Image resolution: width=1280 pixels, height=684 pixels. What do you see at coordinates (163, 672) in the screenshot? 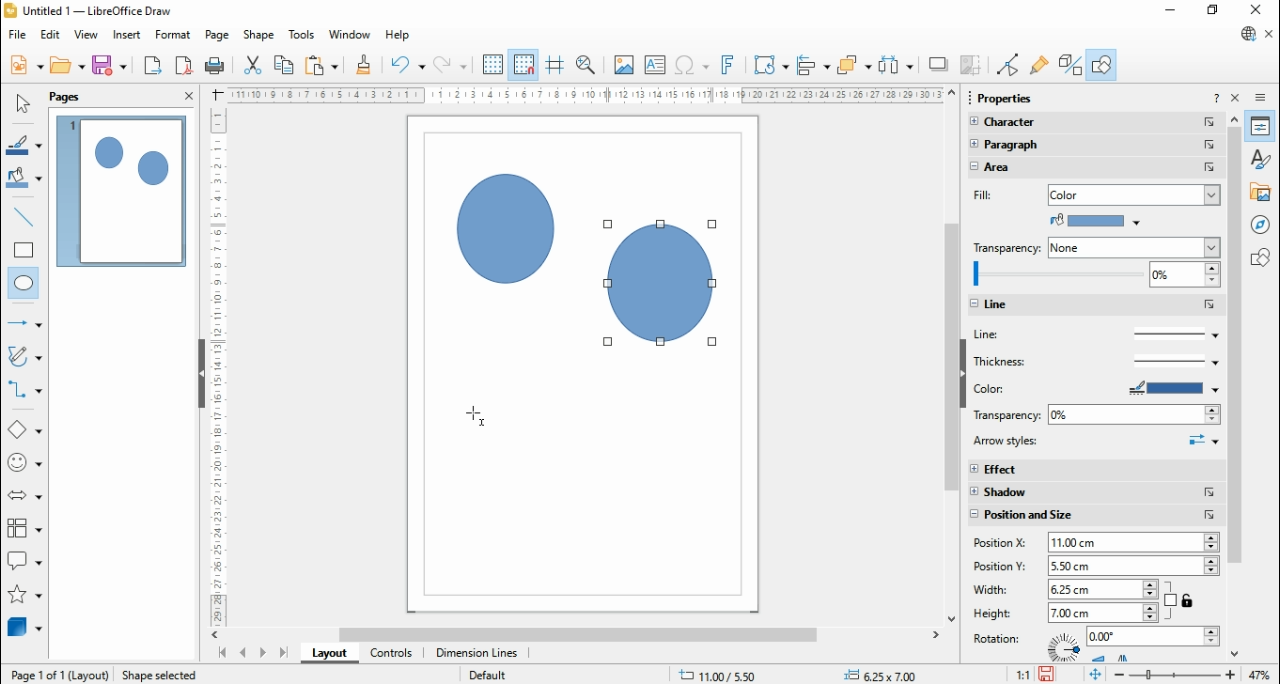
I see `Shape selected` at bounding box center [163, 672].